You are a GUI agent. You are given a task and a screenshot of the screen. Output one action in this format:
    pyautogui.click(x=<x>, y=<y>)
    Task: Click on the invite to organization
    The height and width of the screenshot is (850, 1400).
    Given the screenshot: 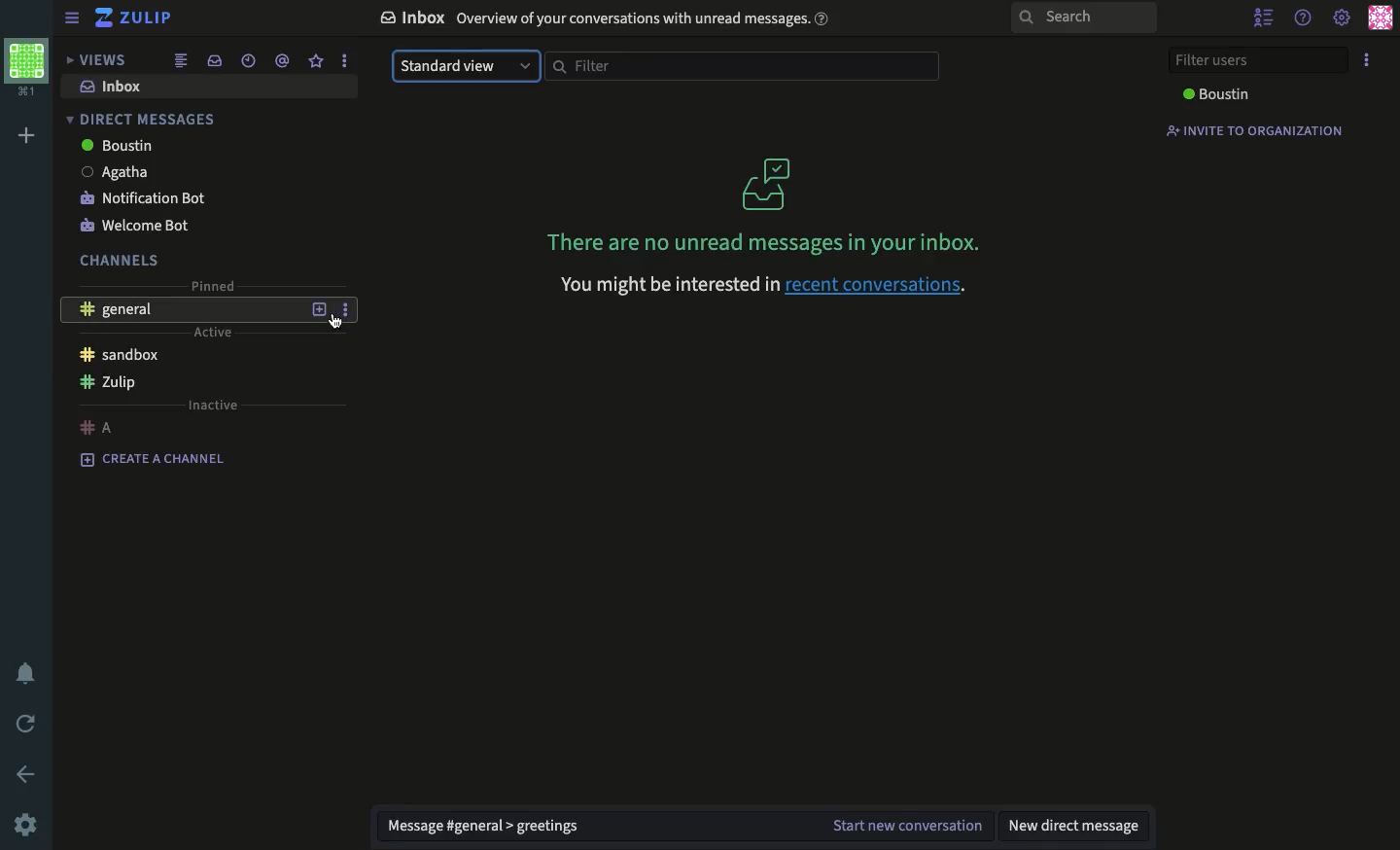 What is the action you would take?
    pyautogui.click(x=1255, y=130)
    